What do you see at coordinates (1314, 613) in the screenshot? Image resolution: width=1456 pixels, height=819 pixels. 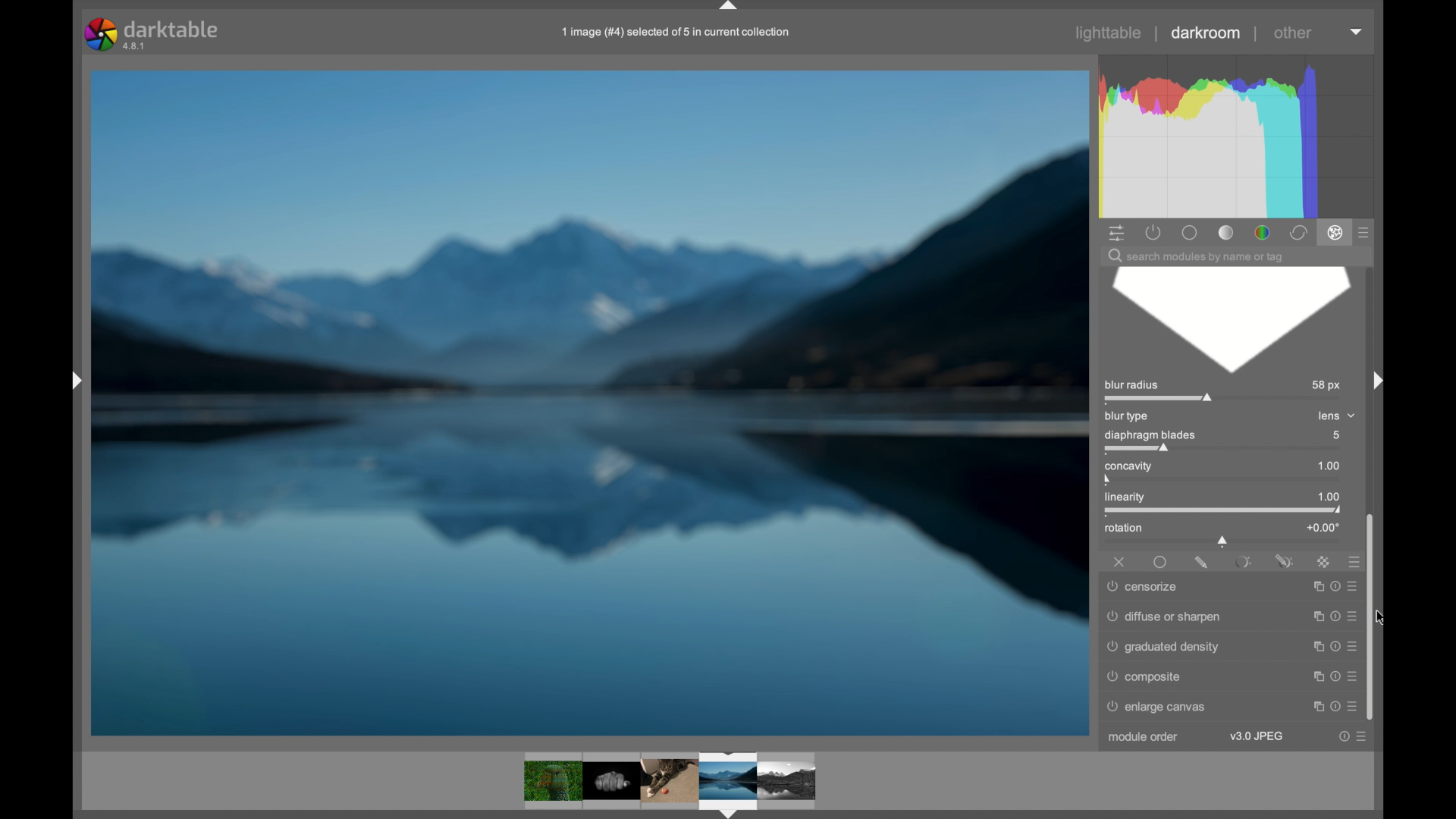 I see `maximize` at bounding box center [1314, 613].